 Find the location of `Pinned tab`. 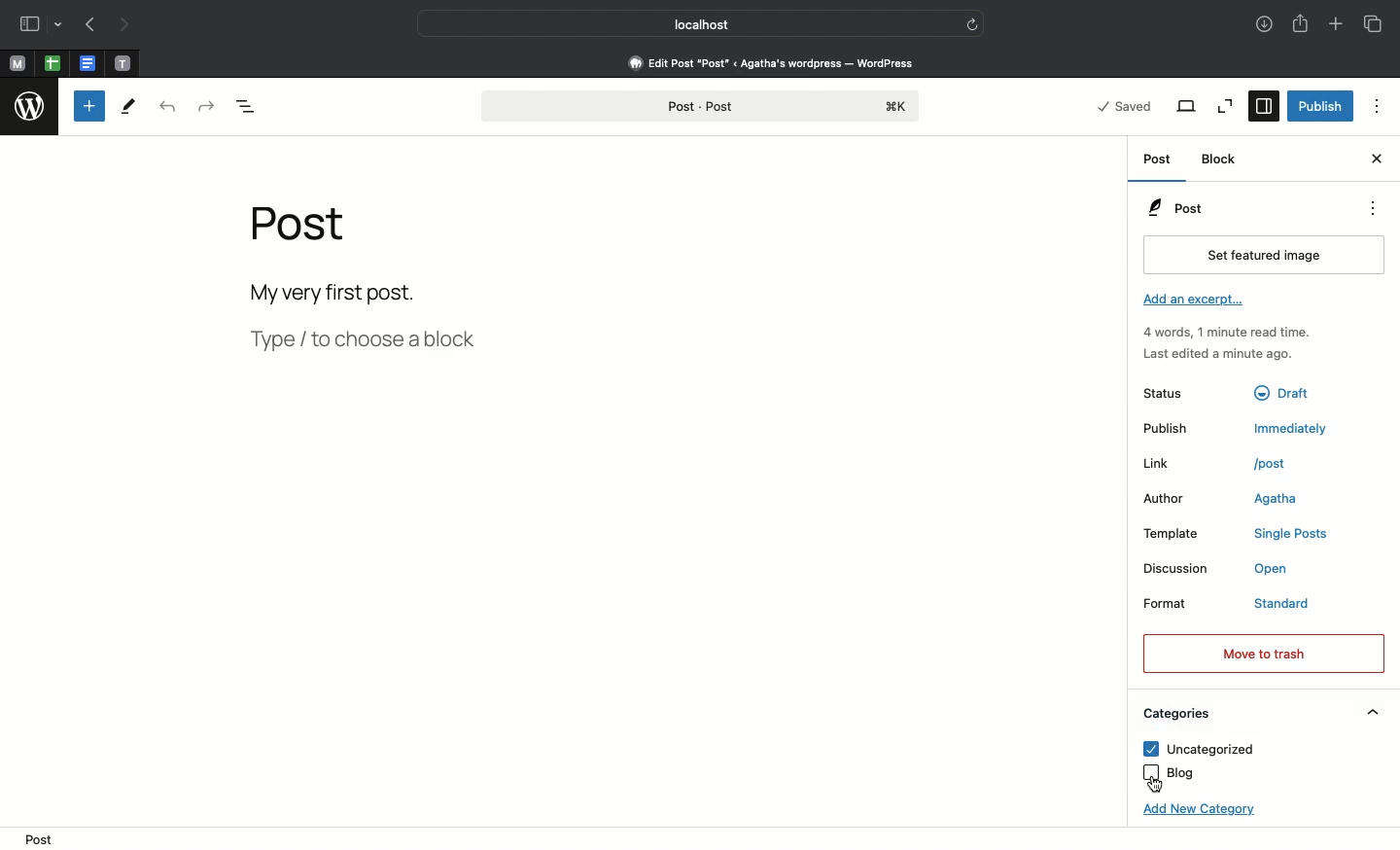

Pinned tab is located at coordinates (122, 62).